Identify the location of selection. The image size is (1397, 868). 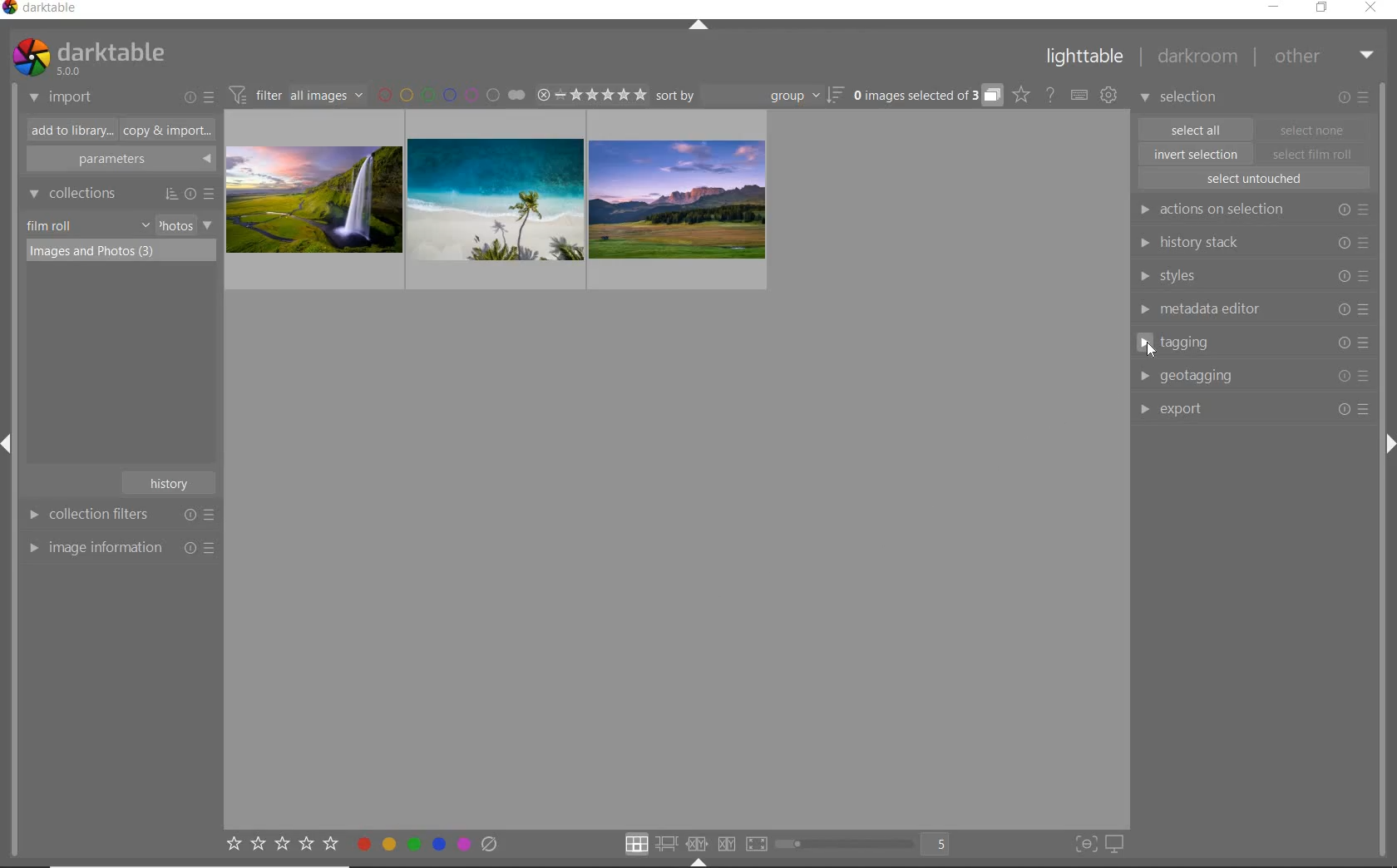
(1181, 99).